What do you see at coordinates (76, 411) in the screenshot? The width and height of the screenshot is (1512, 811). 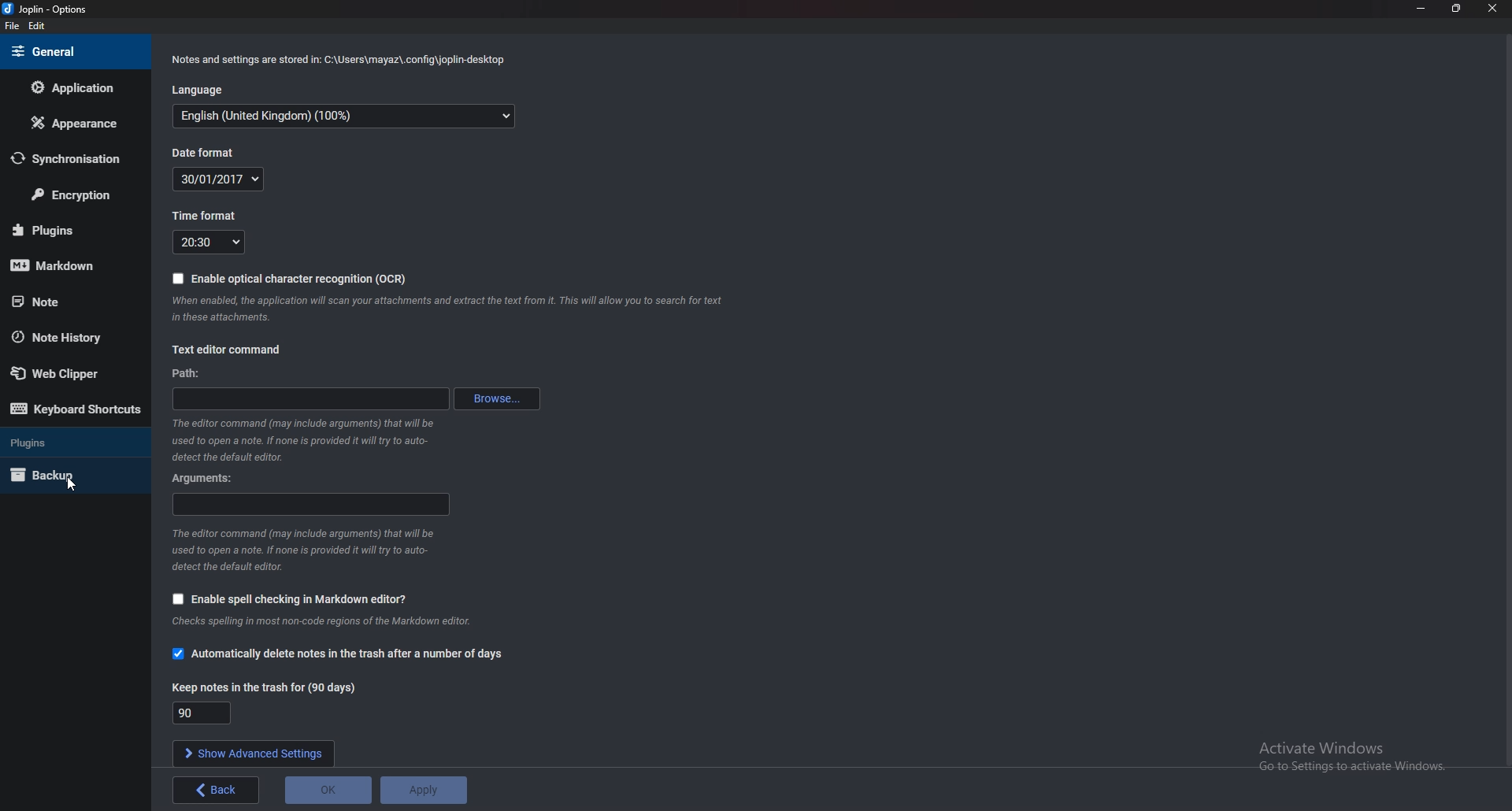 I see `Keyboard shortcuts` at bounding box center [76, 411].